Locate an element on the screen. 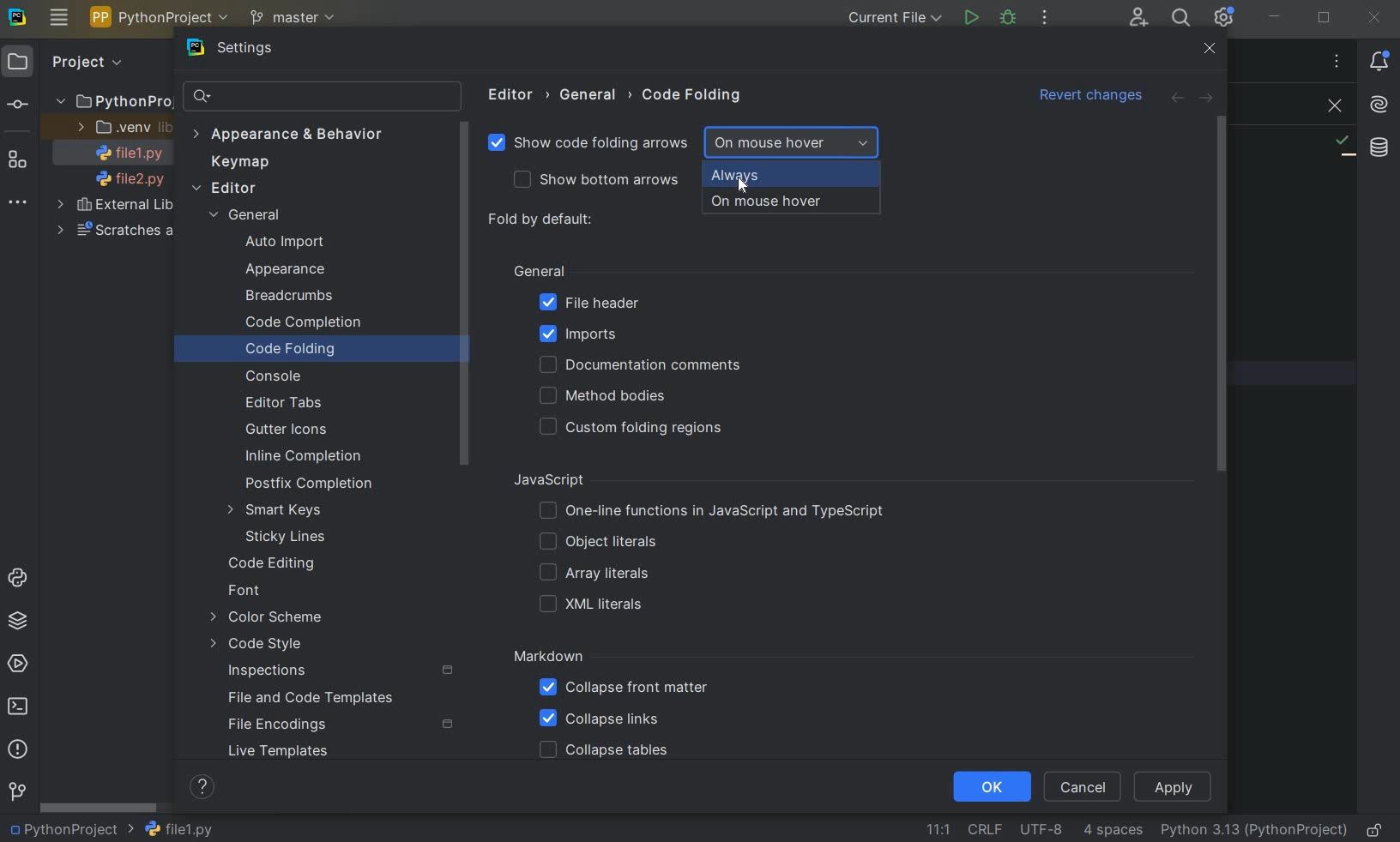  SERVICES is located at coordinates (20, 663).